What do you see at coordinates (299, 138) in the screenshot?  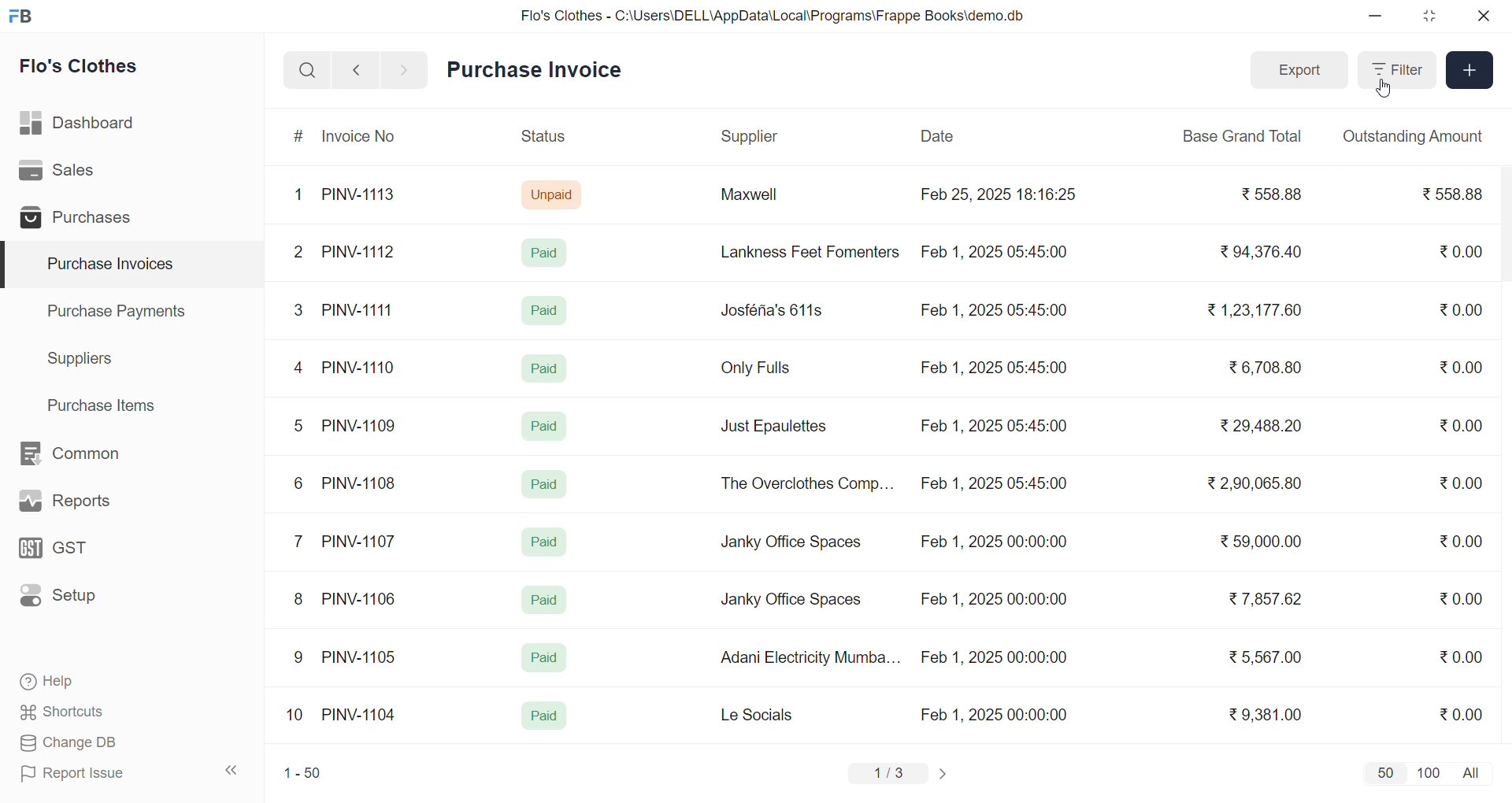 I see `#` at bounding box center [299, 138].